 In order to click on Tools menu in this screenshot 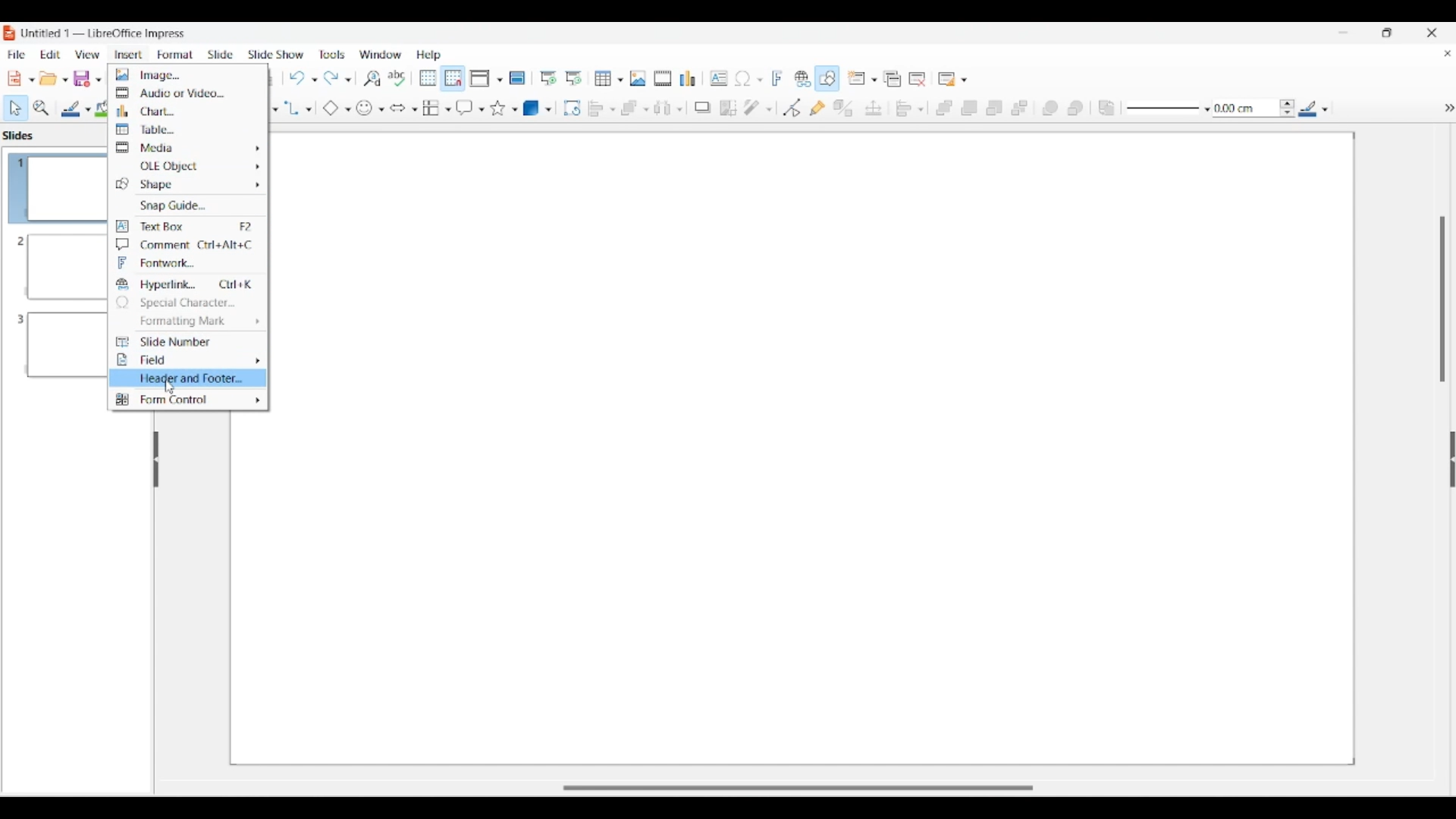, I will do `click(332, 55)`.